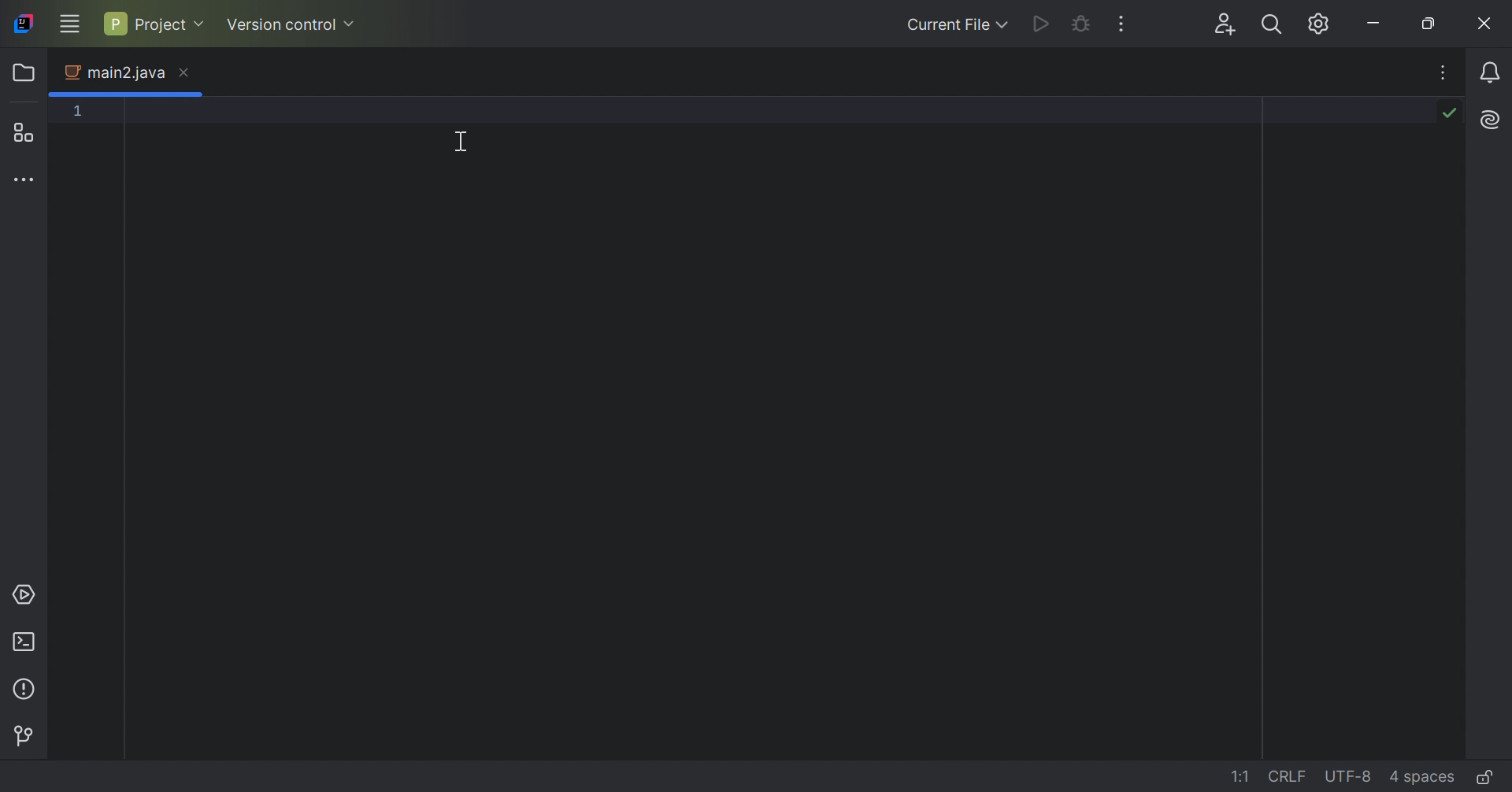  Describe the element at coordinates (28, 24) in the screenshot. I see `IntelliJ IDEA icon` at that location.